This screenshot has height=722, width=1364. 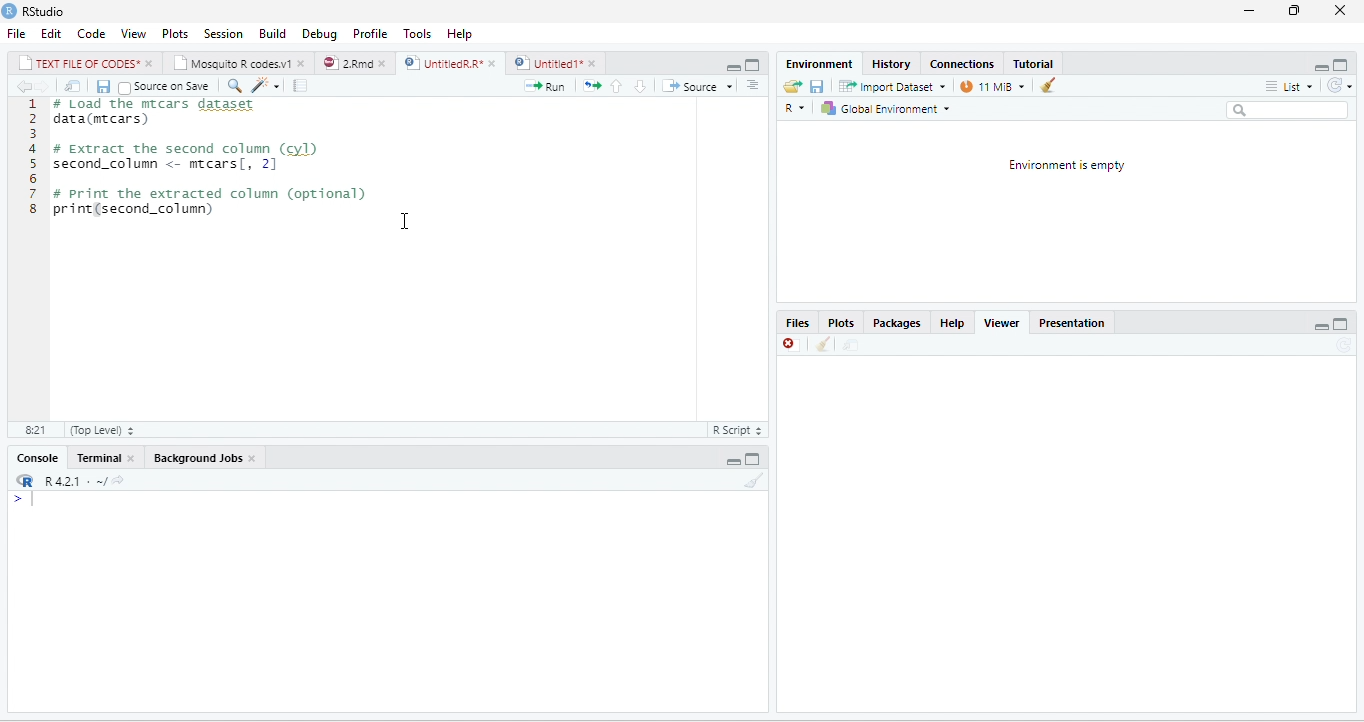 I want to click on close, so click(x=150, y=62).